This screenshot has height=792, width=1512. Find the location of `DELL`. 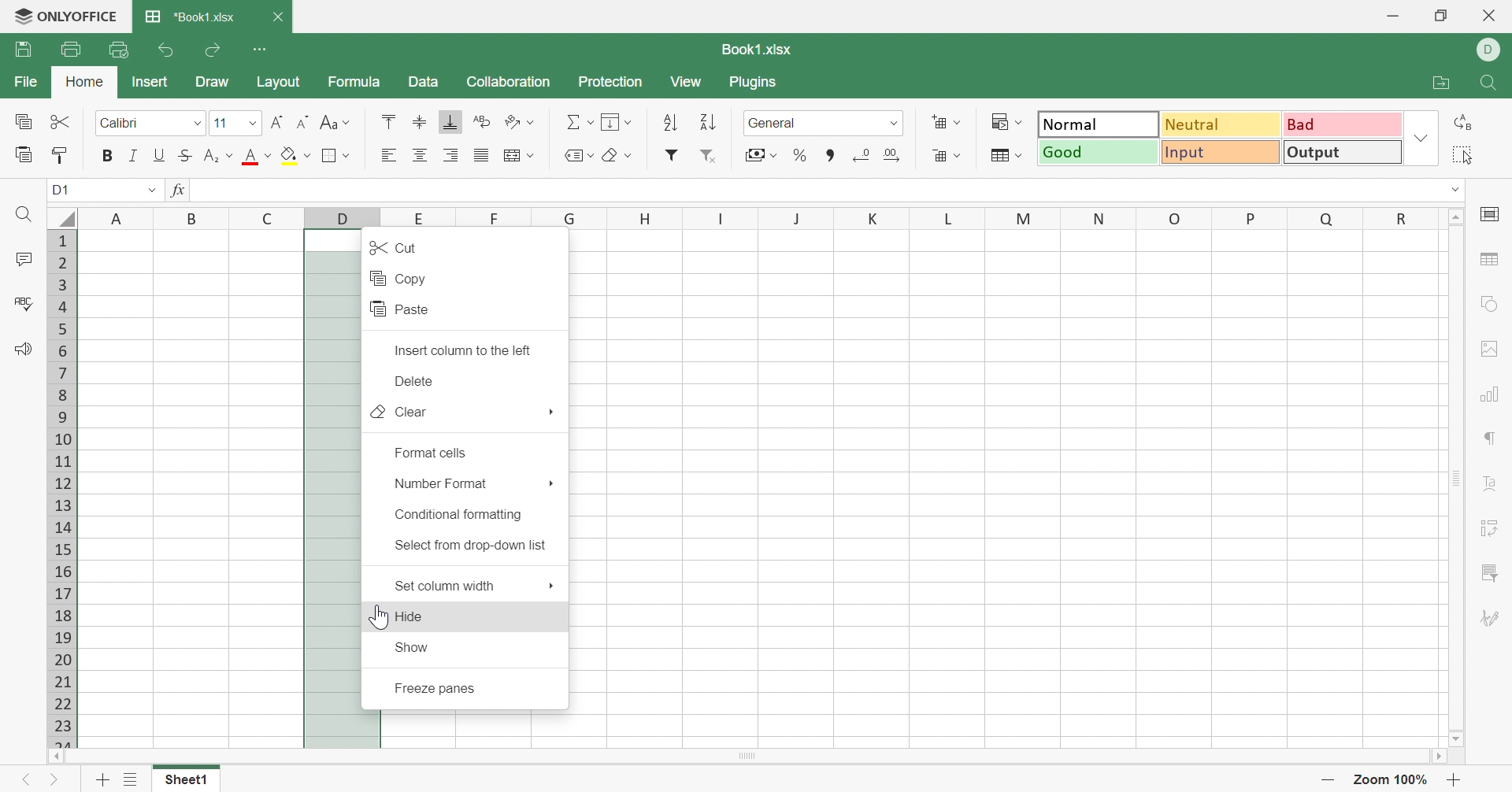

DELL is located at coordinates (1491, 50).